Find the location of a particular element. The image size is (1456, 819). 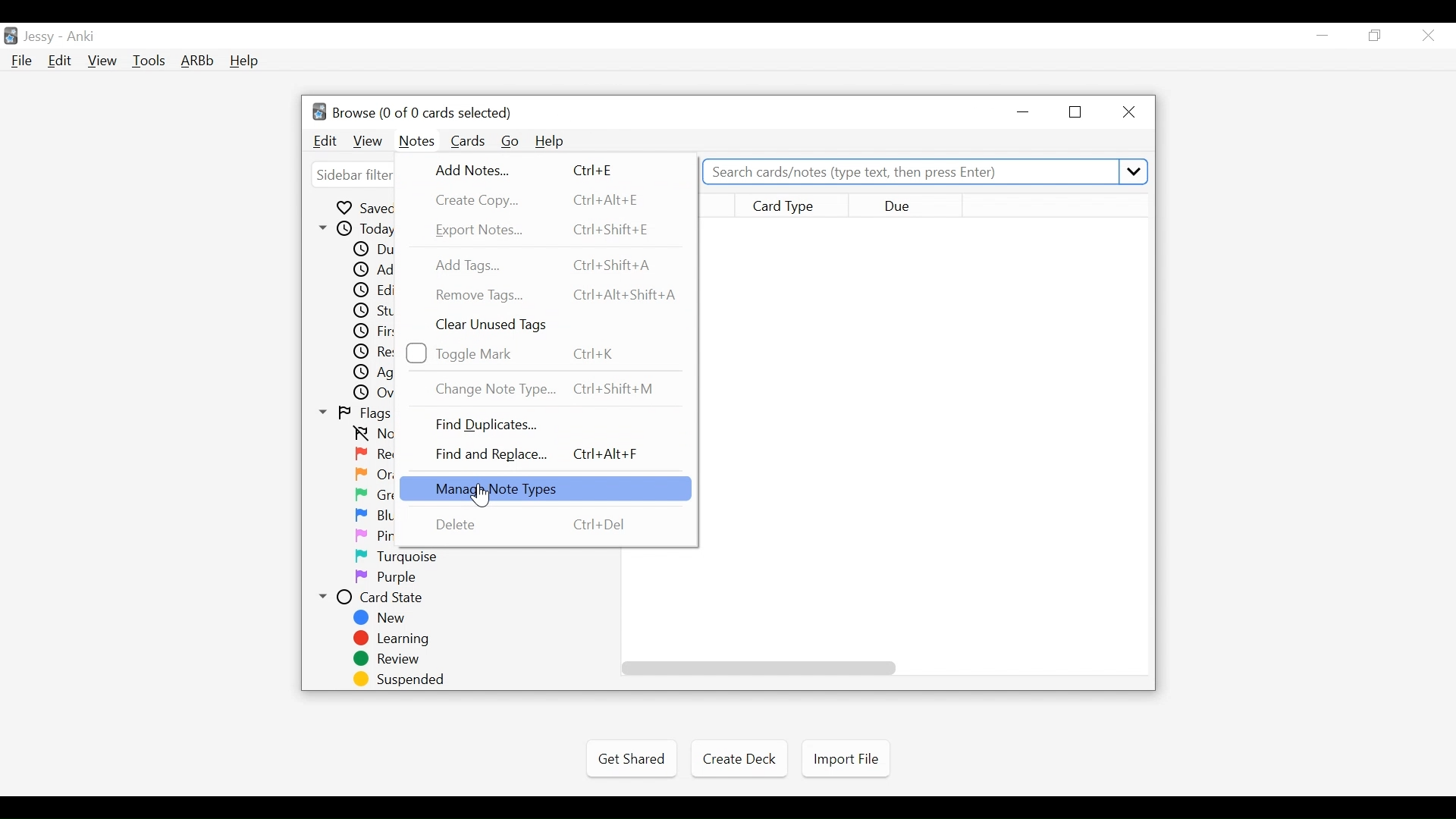

Purple is located at coordinates (388, 577).